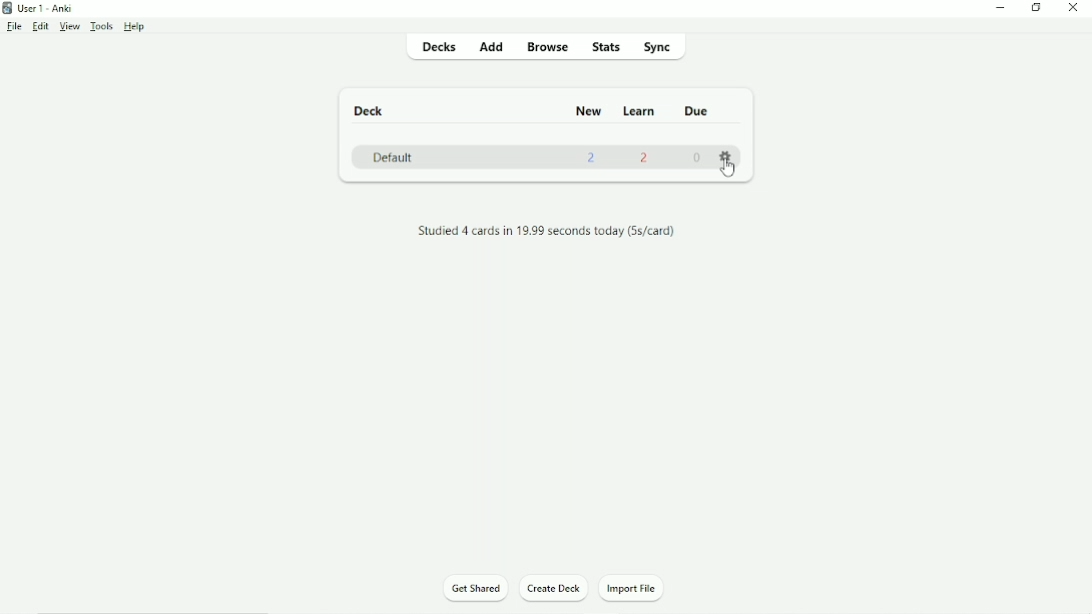 This screenshot has width=1092, height=614. What do you see at coordinates (392, 157) in the screenshot?
I see `Default` at bounding box center [392, 157].